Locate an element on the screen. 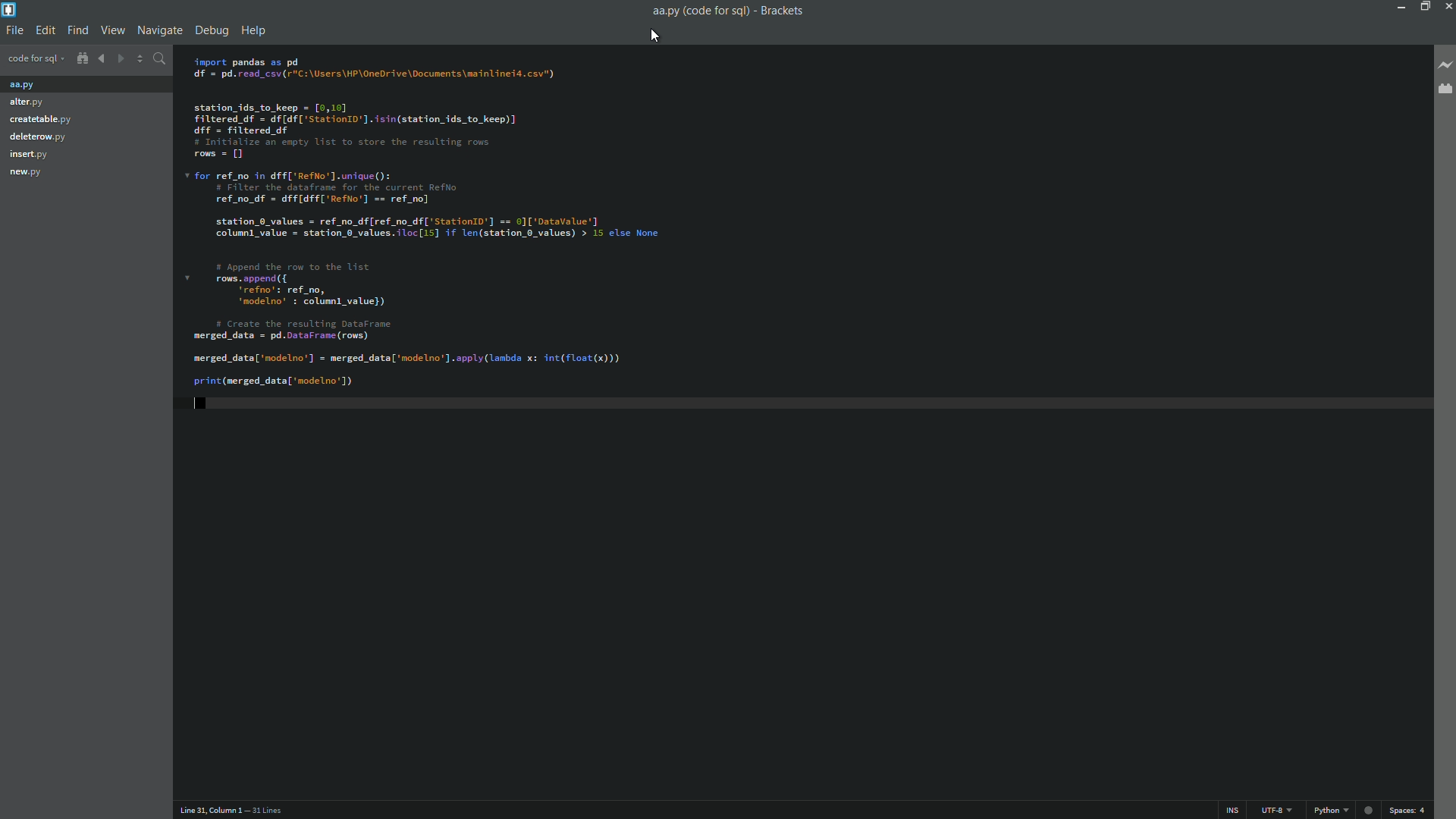 This screenshot has height=819, width=1456. live preview is located at coordinates (1446, 64).